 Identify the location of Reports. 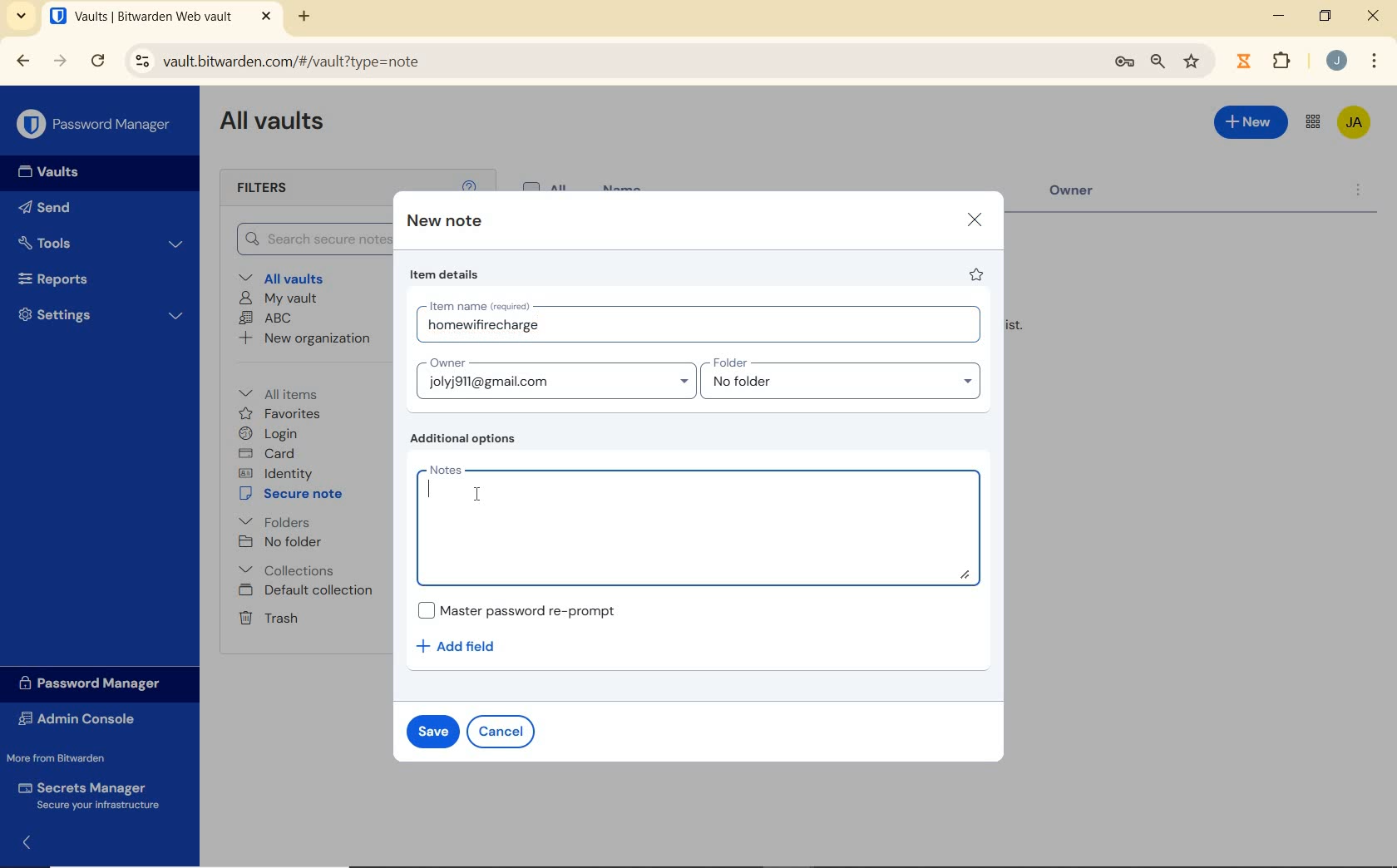
(95, 277).